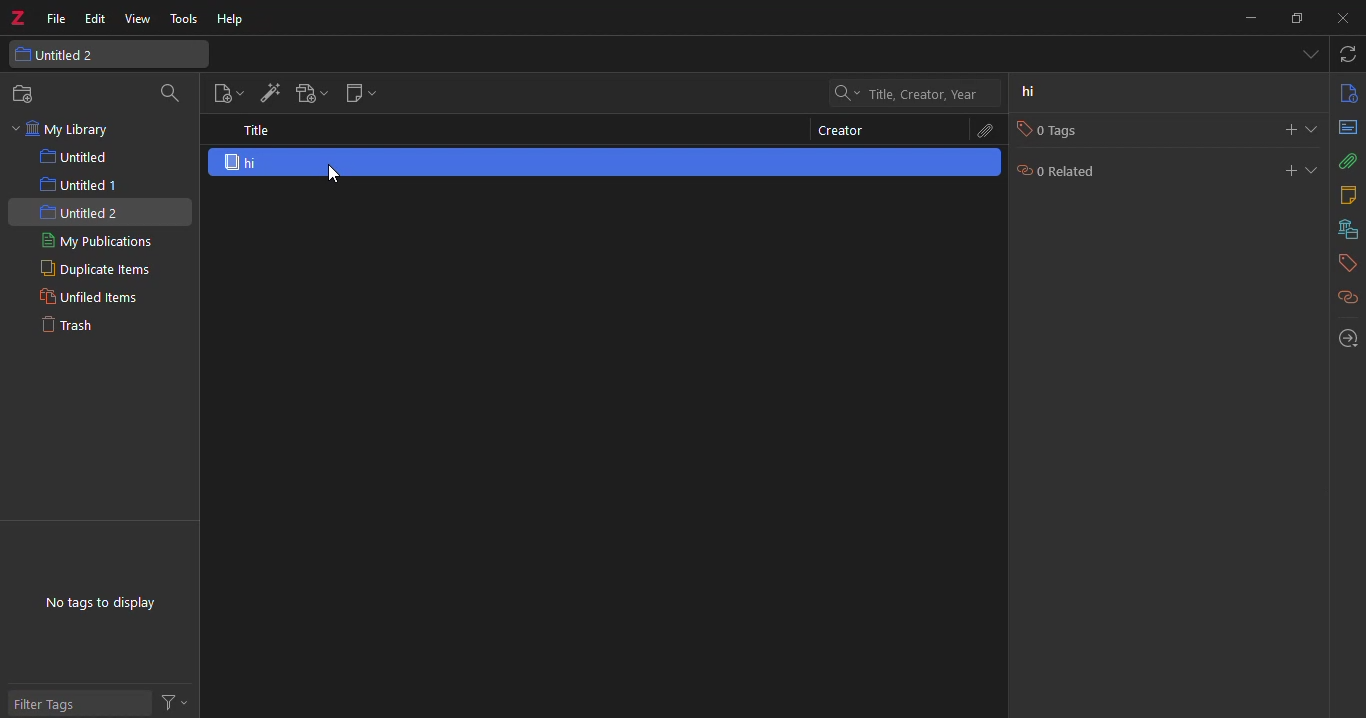  What do you see at coordinates (225, 95) in the screenshot?
I see `new item` at bounding box center [225, 95].